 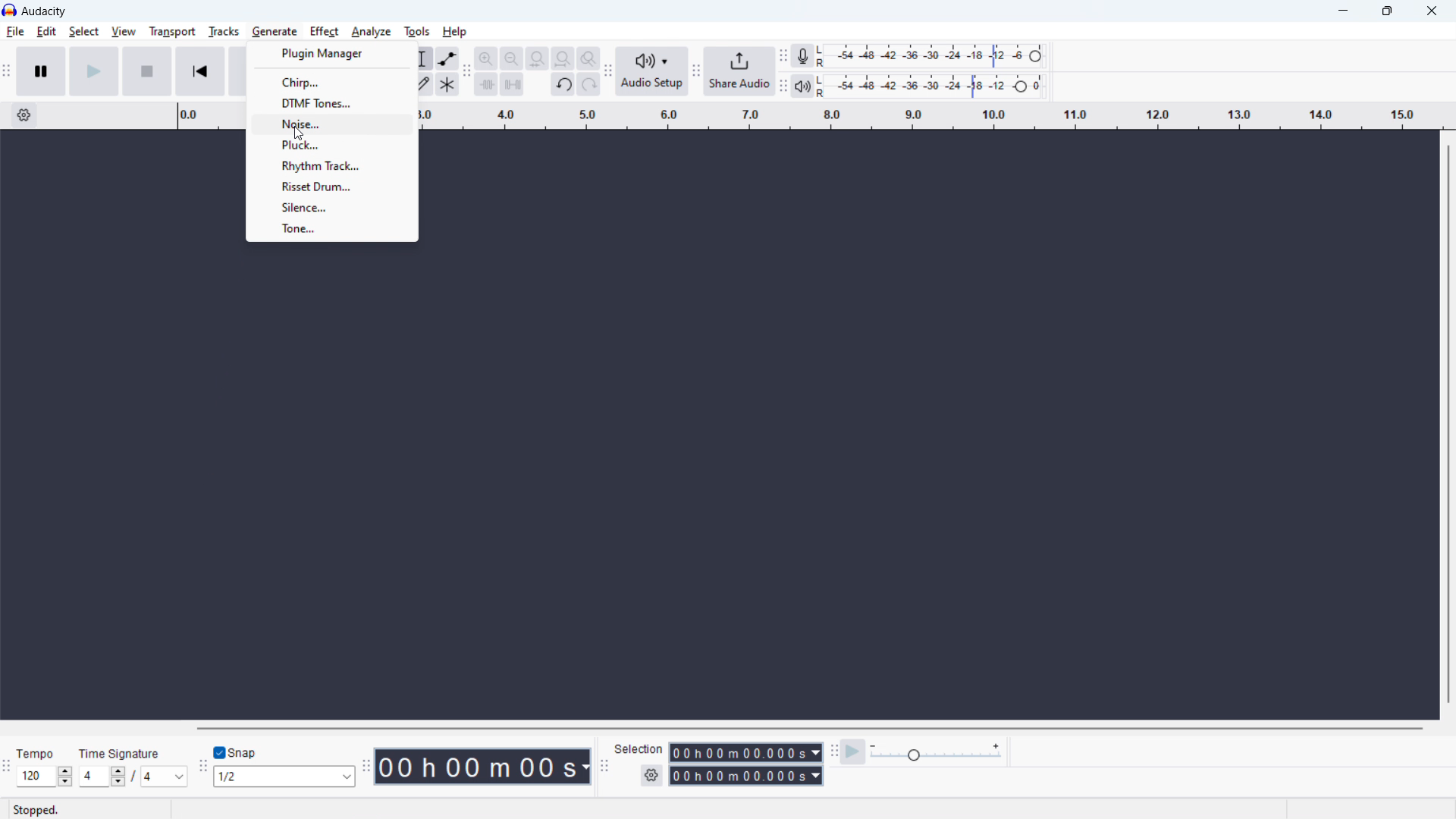 What do you see at coordinates (324, 32) in the screenshot?
I see `effect` at bounding box center [324, 32].